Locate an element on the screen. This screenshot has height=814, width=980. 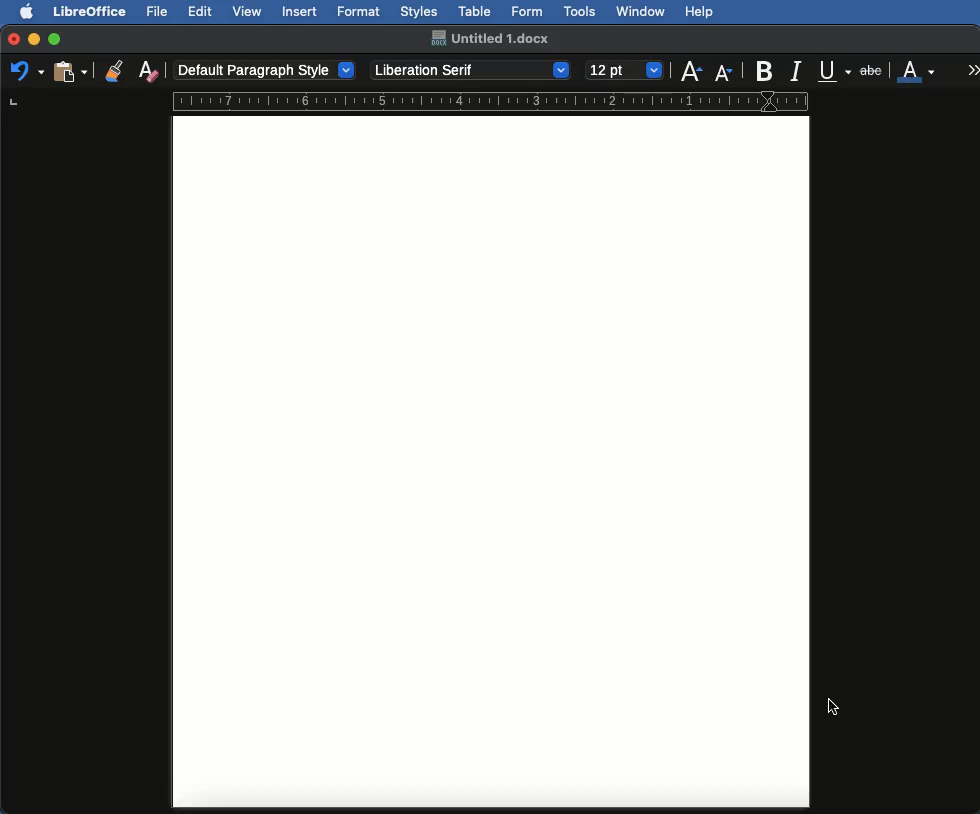
Table is located at coordinates (475, 9).